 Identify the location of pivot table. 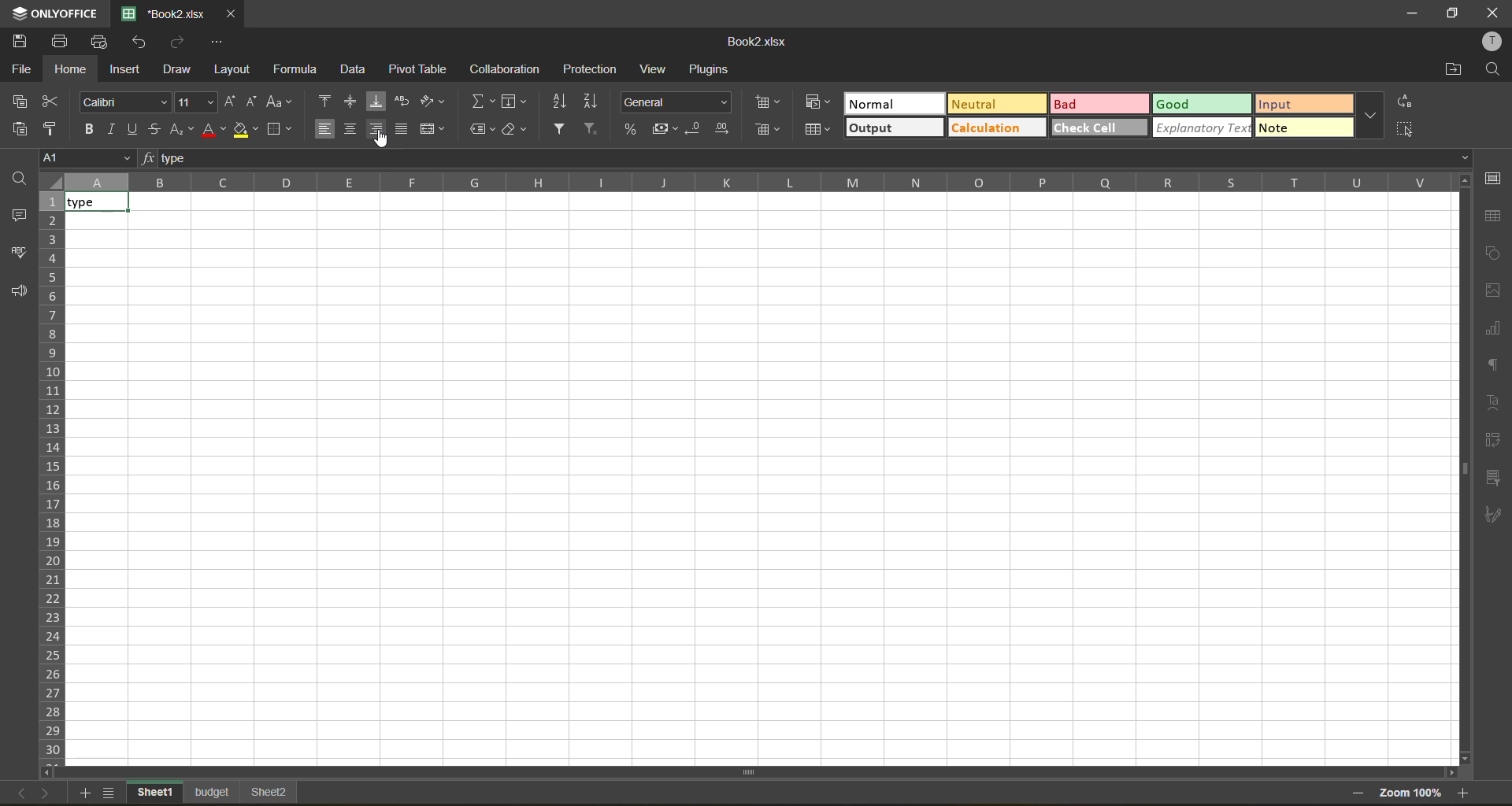
(1495, 442).